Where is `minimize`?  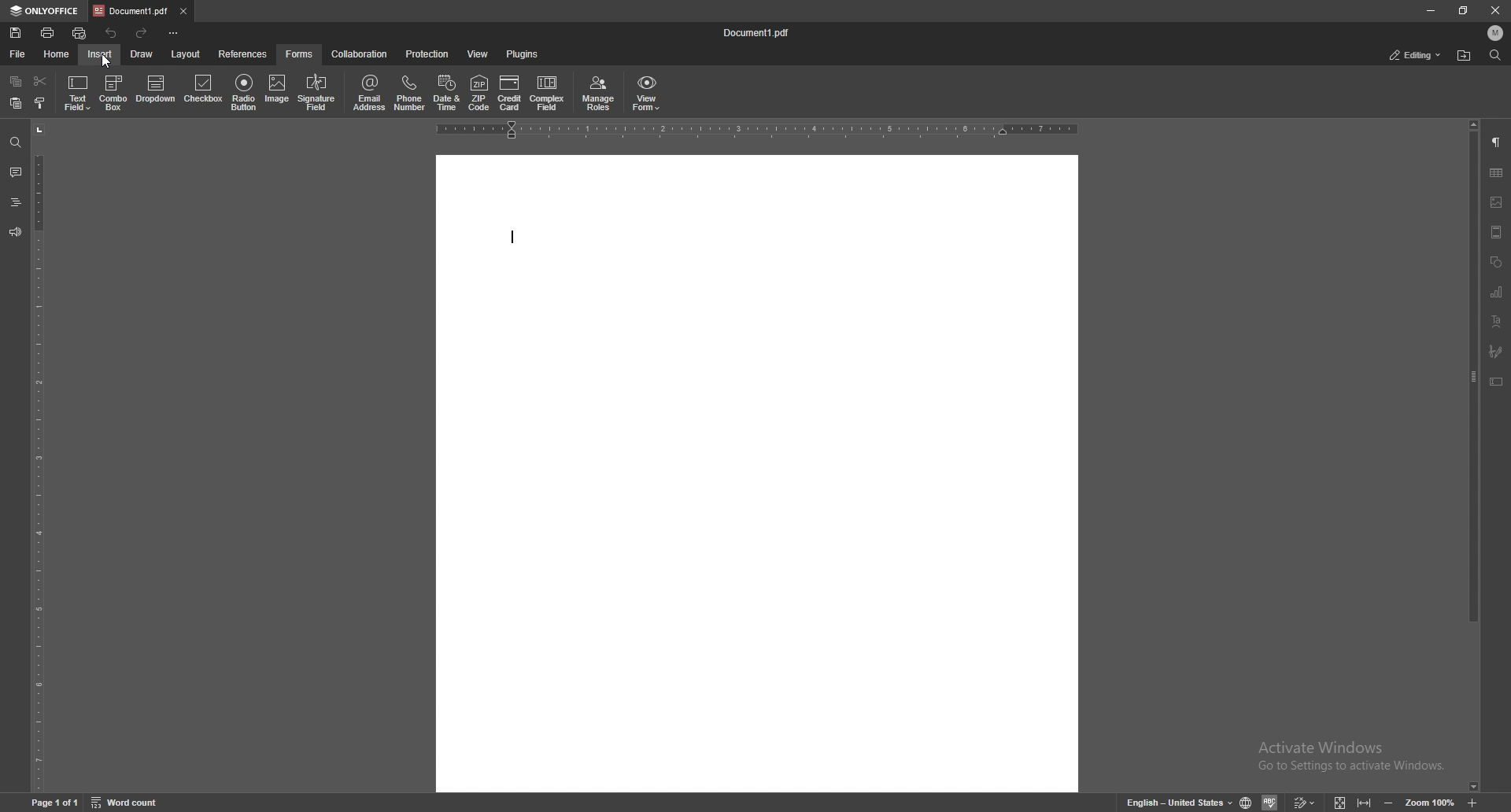 minimize is located at coordinates (1430, 11).